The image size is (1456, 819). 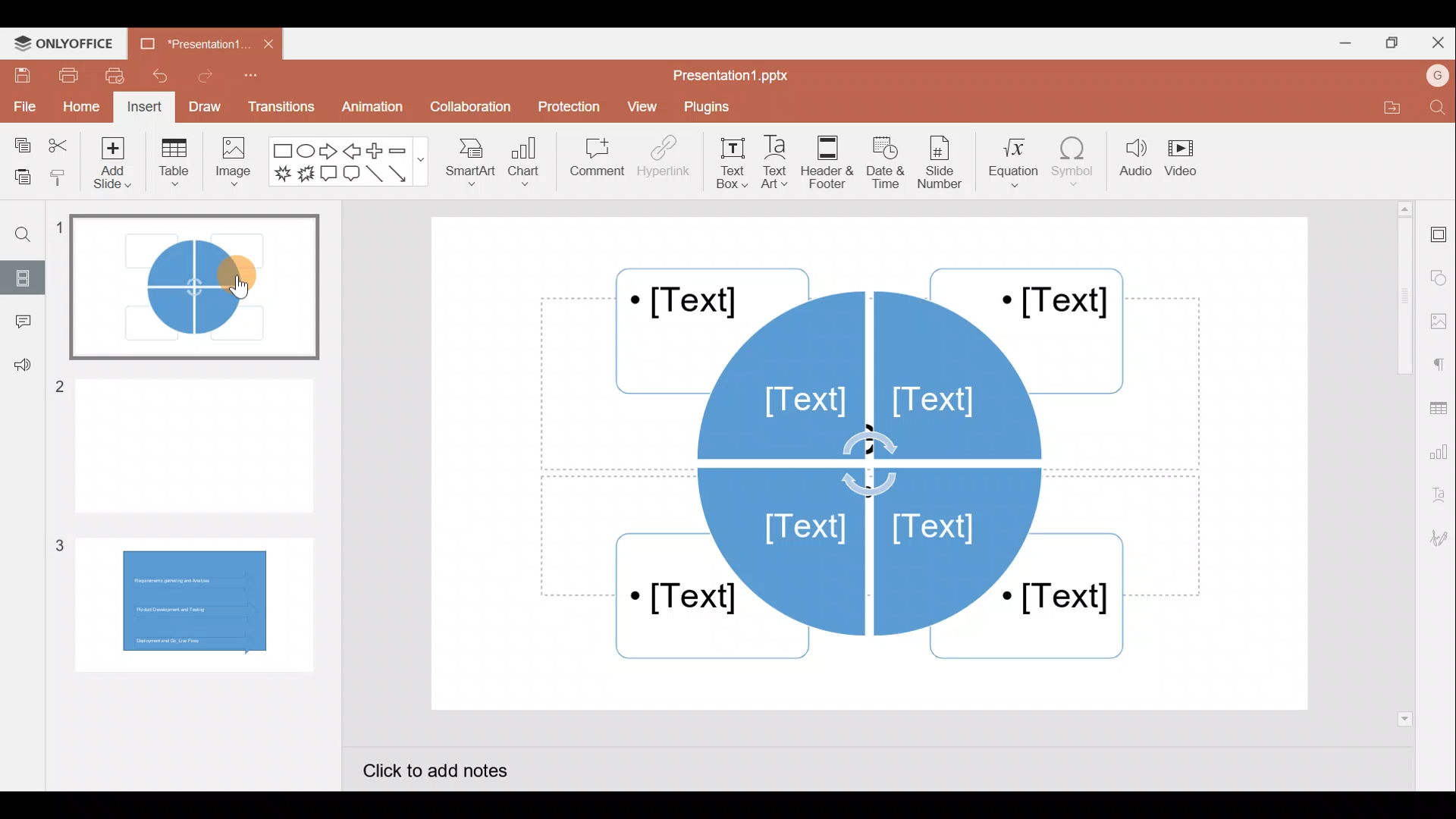 What do you see at coordinates (305, 152) in the screenshot?
I see `Ellipse` at bounding box center [305, 152].